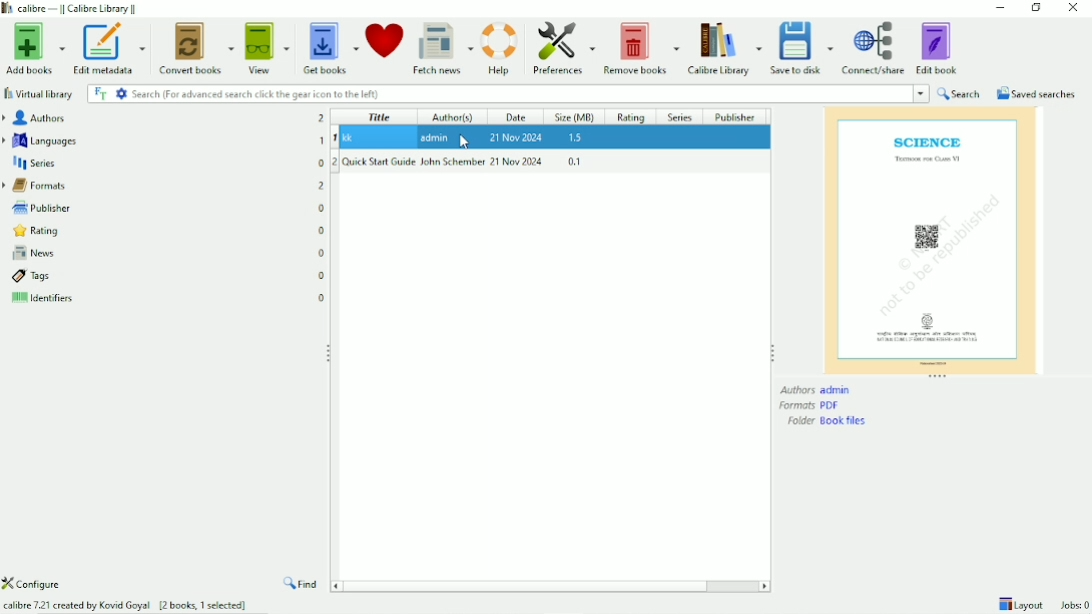  What do you see at coordinates (162, 141) in the screenshot?
I see `Languages` at bounding box center [162, 141].